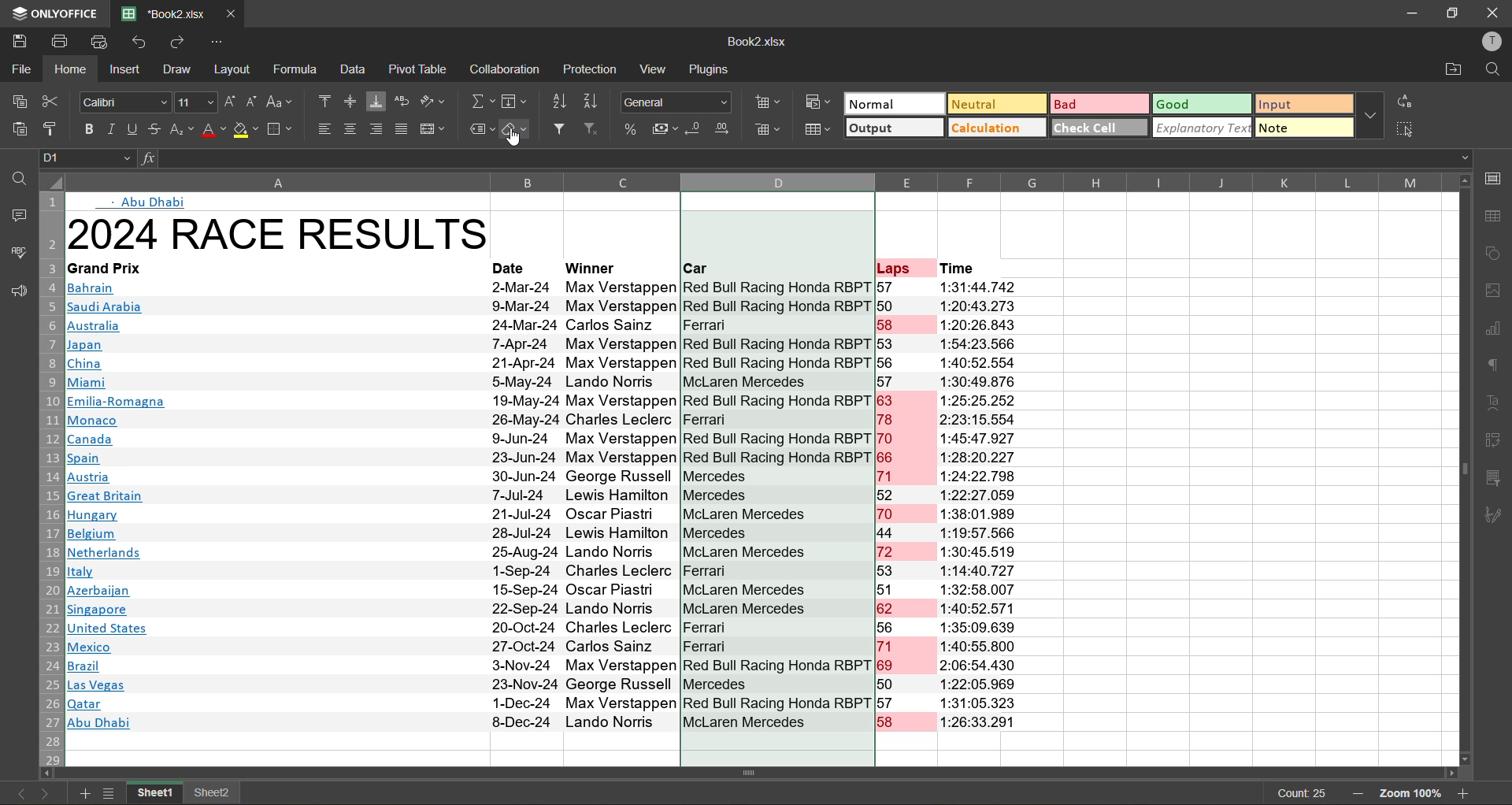 Image resolution: width=1512 pixels, height=805 pixels. Describe the element at coordinates (16, 102) in the screenshot. I see `copy` at that location.